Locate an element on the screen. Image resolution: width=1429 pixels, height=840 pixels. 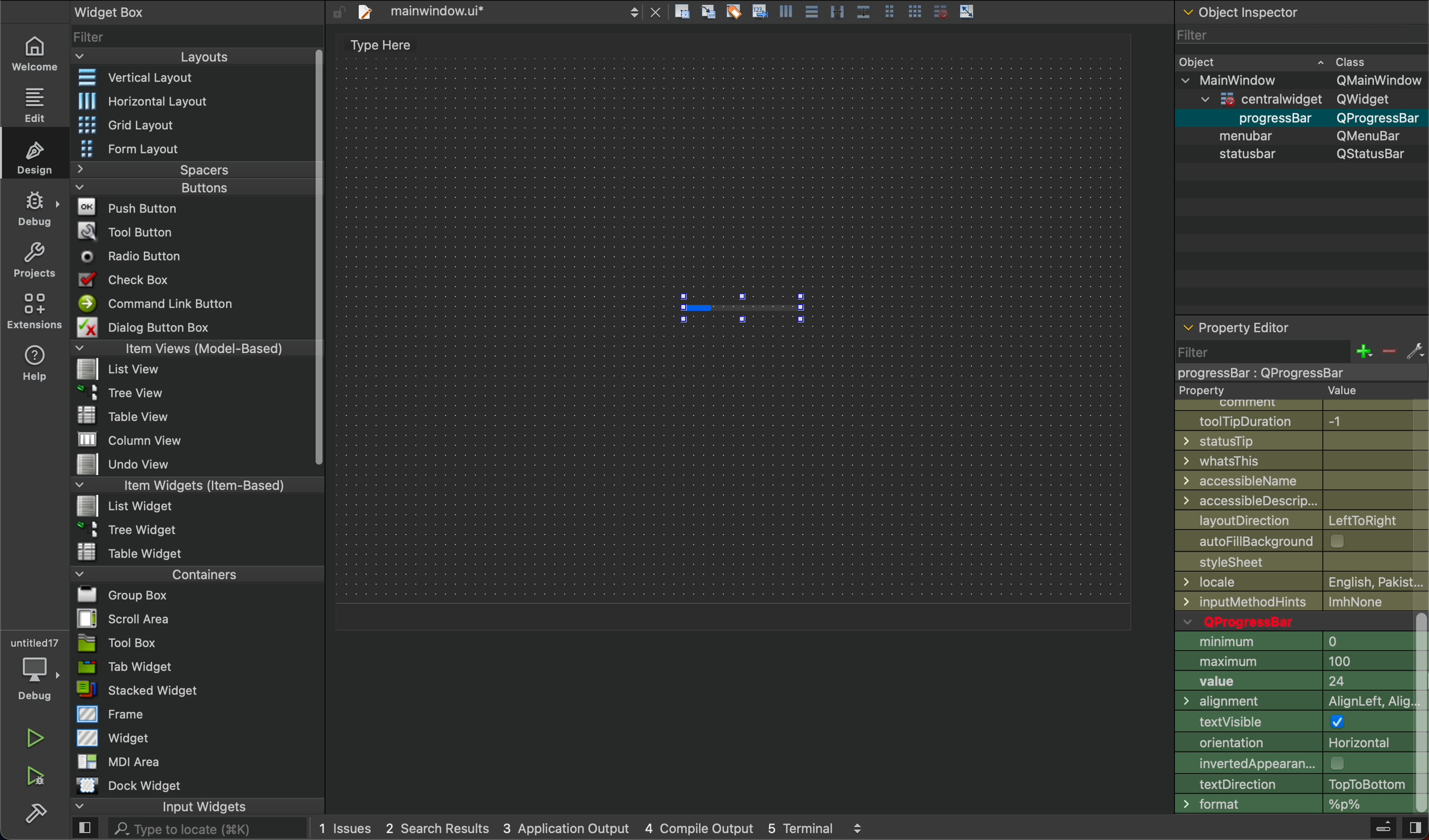
layoutDirection is located at coordinates (1302, 519).